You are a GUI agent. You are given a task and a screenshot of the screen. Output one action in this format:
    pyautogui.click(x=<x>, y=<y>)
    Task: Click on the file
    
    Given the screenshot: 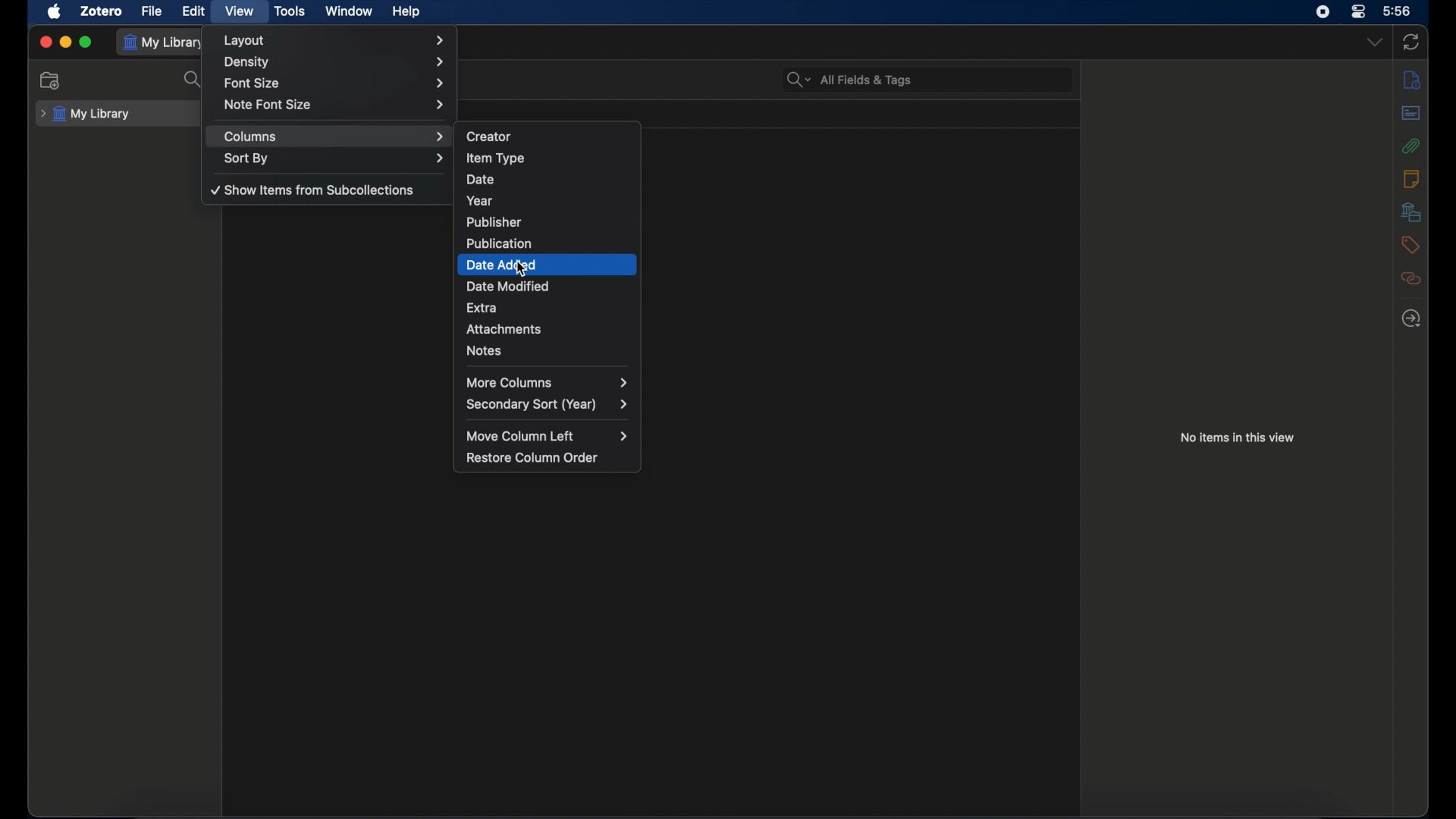 What is the action you would take?
    pyautogui.click(x=153, y=11)
    